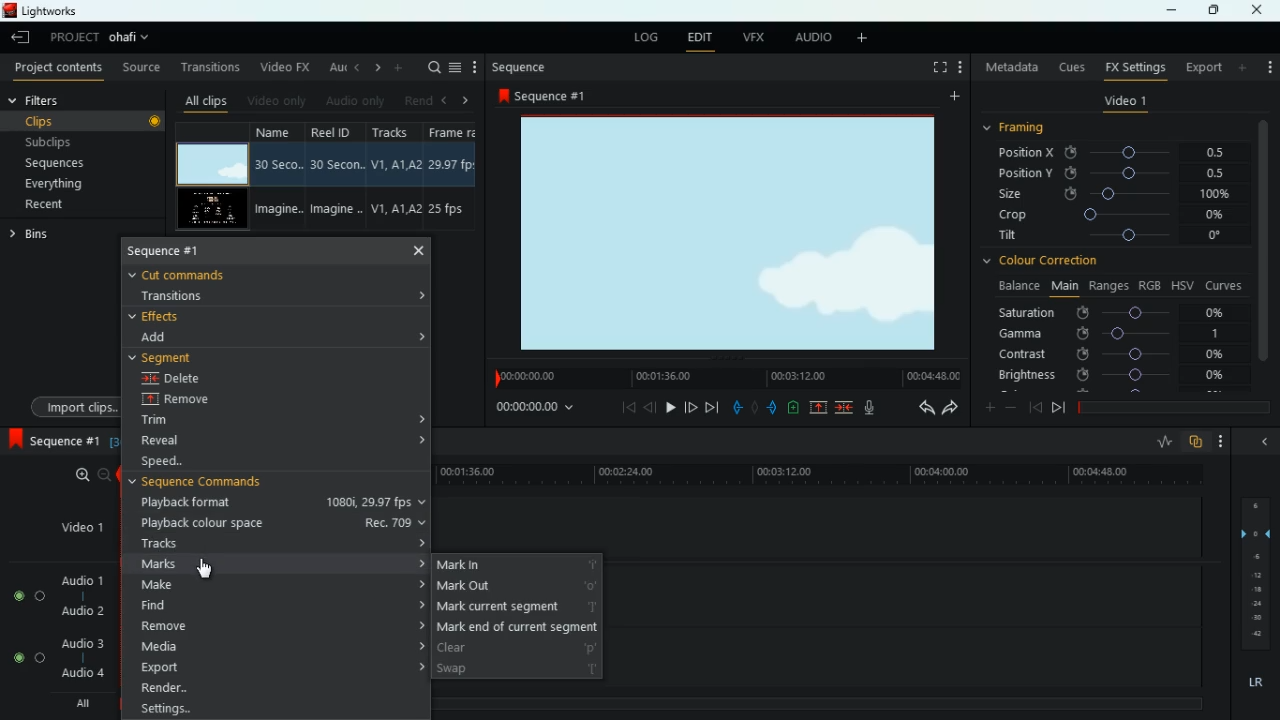  I want to click on make, so click(282, 585).